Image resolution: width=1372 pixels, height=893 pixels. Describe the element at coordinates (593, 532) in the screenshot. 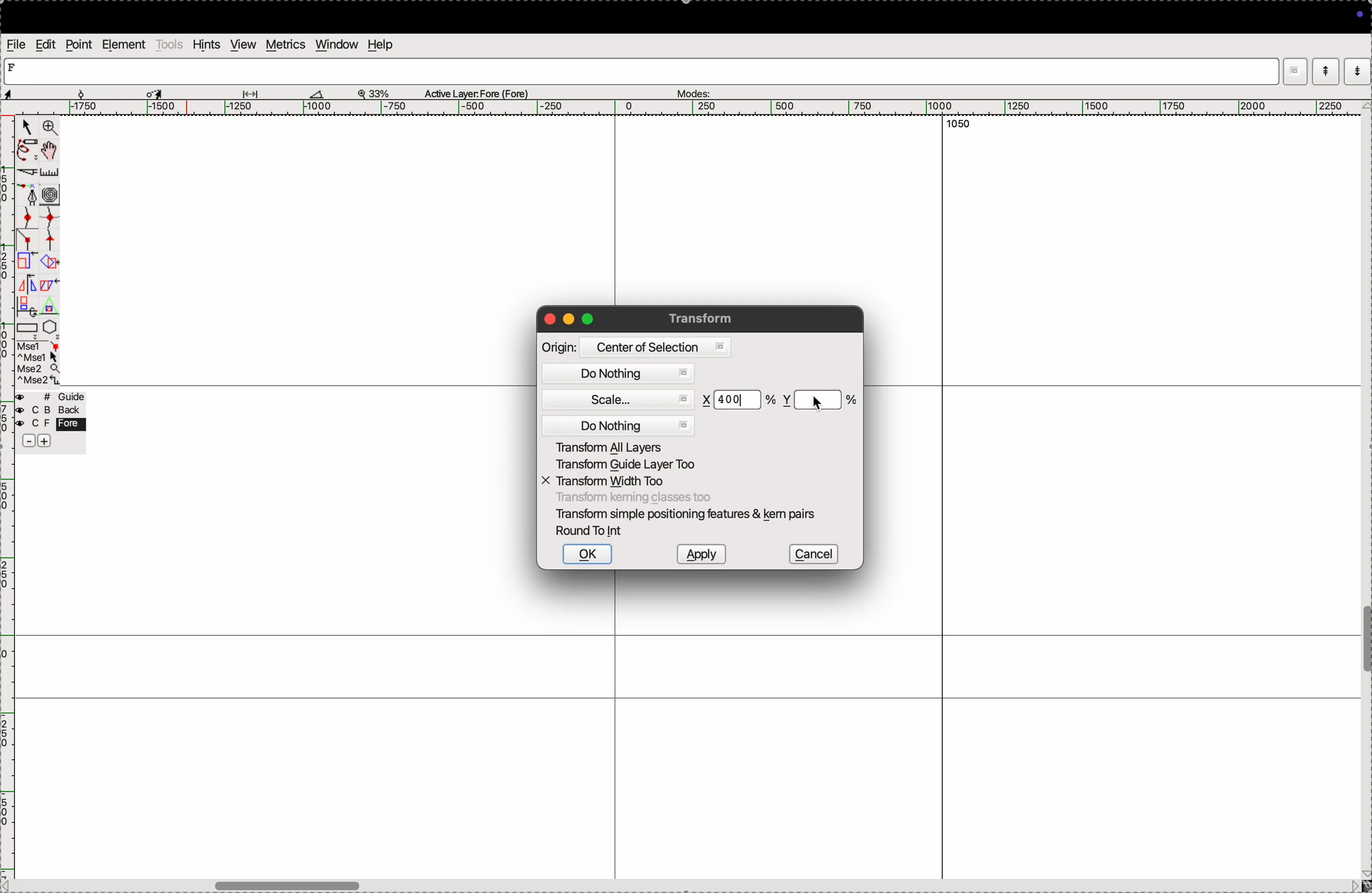

I see `round to int` at that location.